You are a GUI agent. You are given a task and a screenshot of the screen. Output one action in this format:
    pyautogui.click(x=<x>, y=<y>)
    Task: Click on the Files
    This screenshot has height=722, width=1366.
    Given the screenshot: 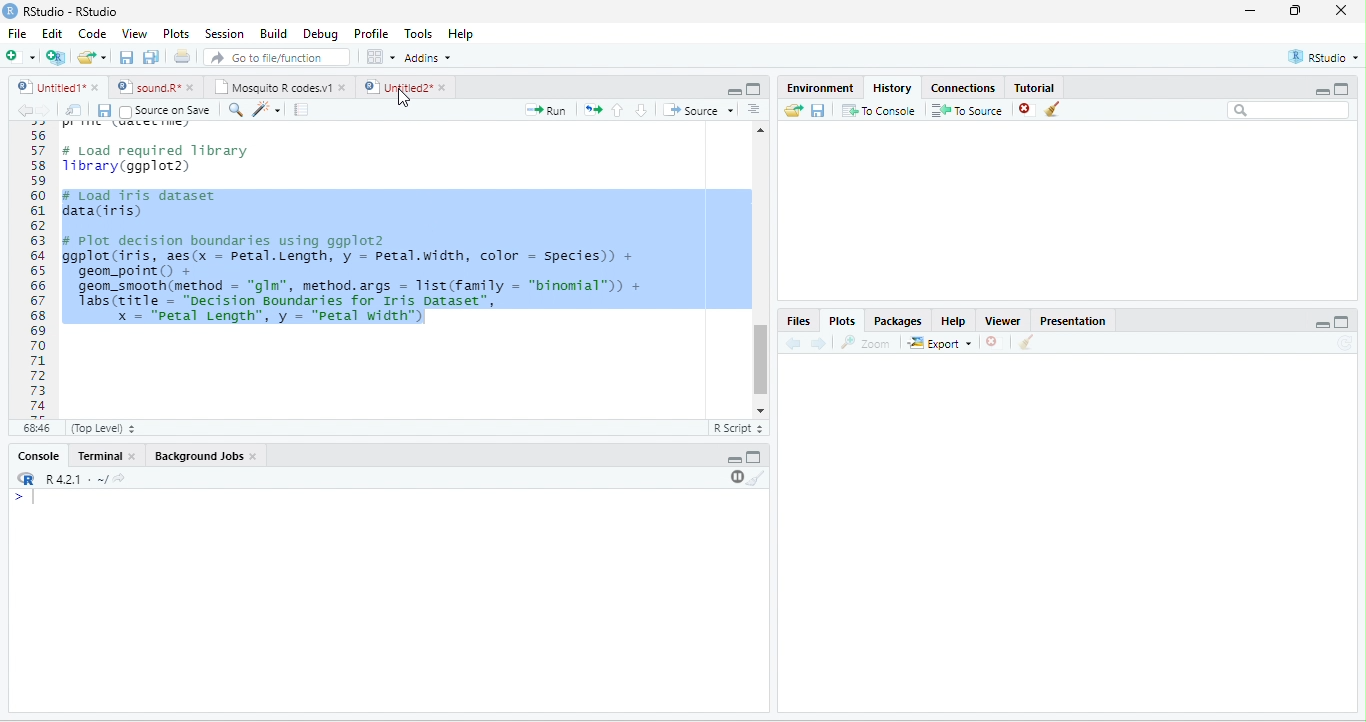 What is the action you would take?
    pyautogui.click(x=797, y=322)
    